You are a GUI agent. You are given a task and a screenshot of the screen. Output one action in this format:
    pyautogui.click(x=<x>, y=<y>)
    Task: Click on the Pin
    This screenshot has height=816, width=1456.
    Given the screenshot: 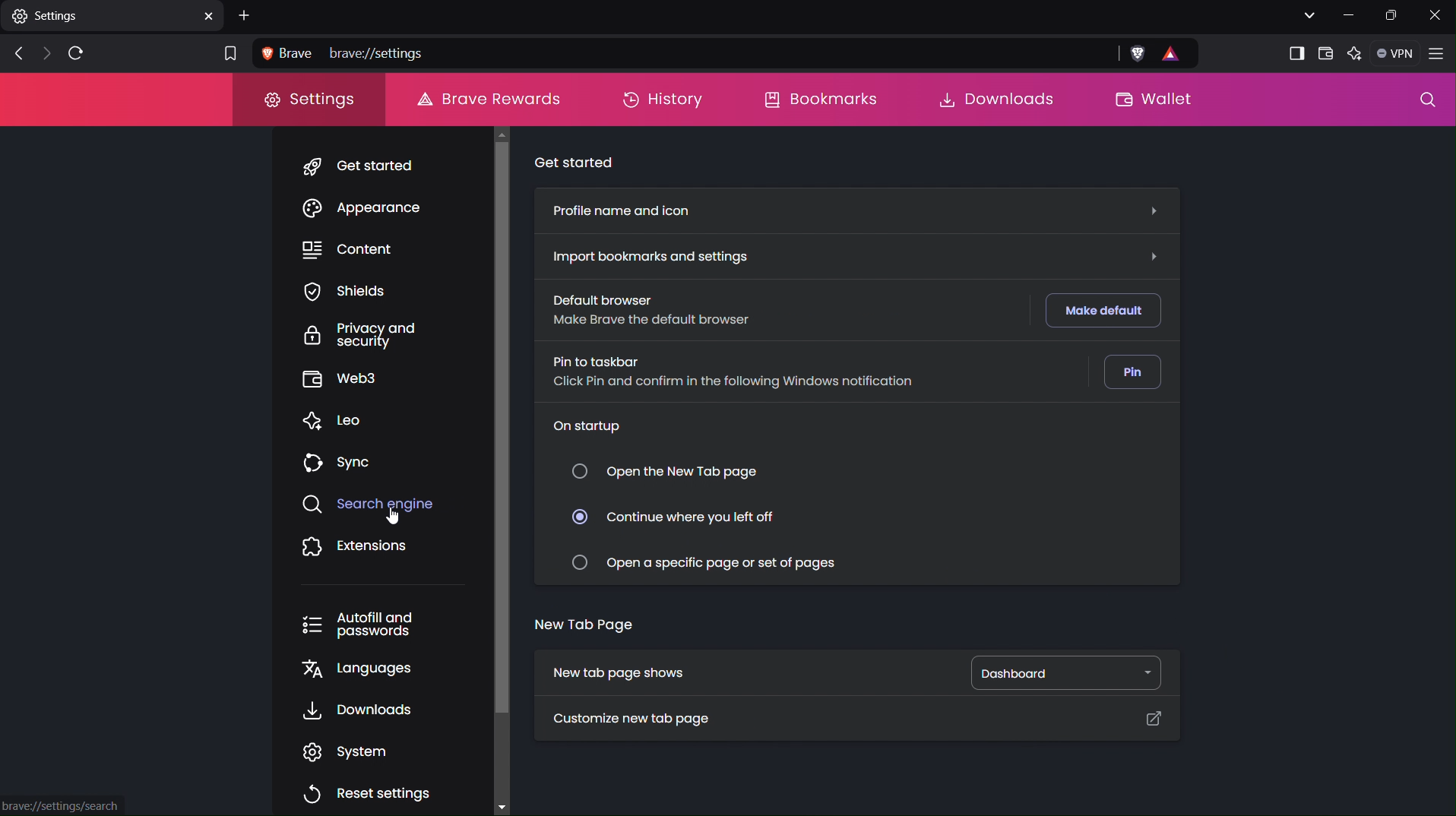 What is the action you would take?
    pyautogui.click(x=1135, y=373)
    